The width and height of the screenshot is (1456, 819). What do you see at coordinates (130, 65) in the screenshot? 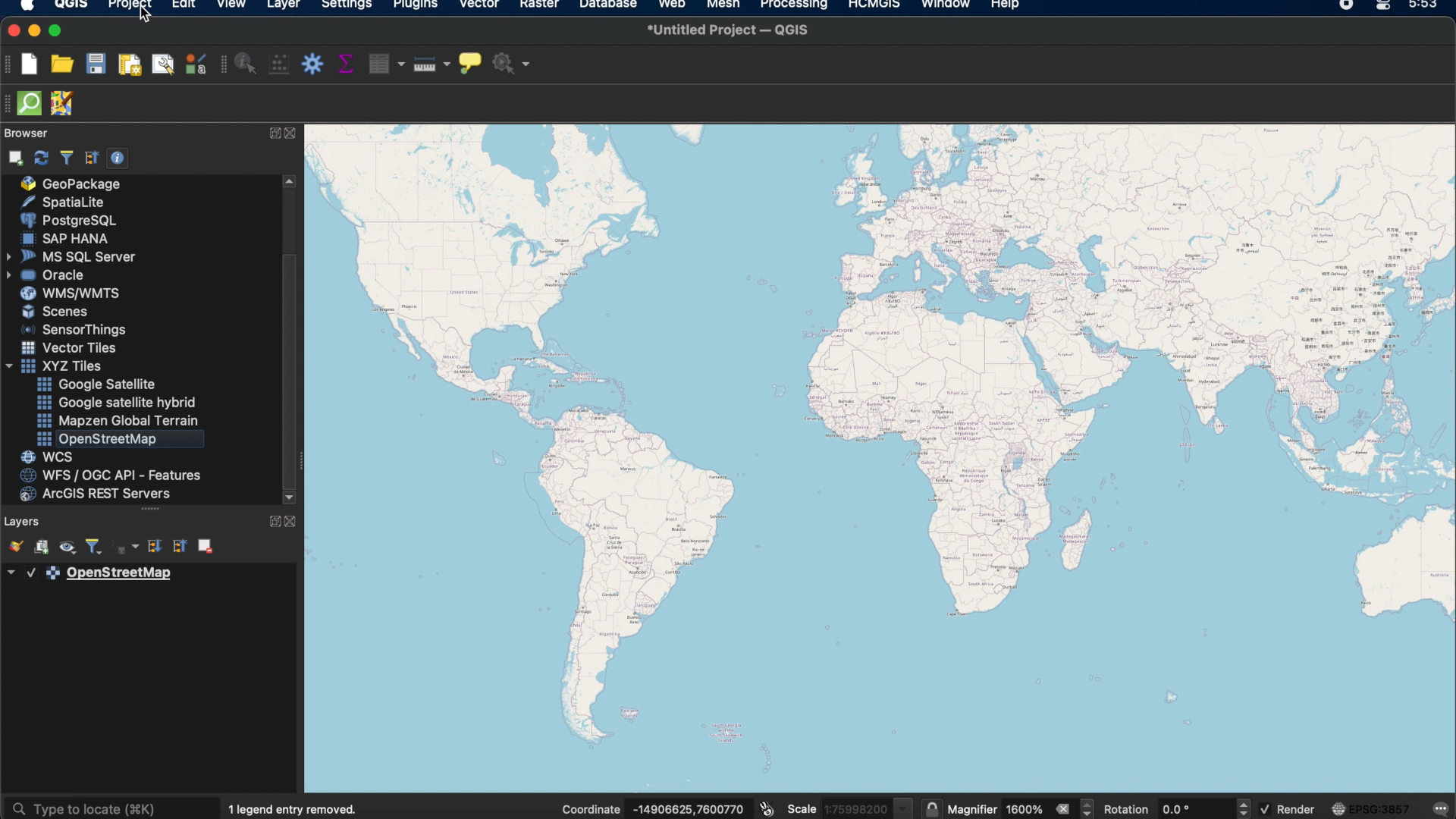
I see `new print layout` at bounding box center [130, 65].